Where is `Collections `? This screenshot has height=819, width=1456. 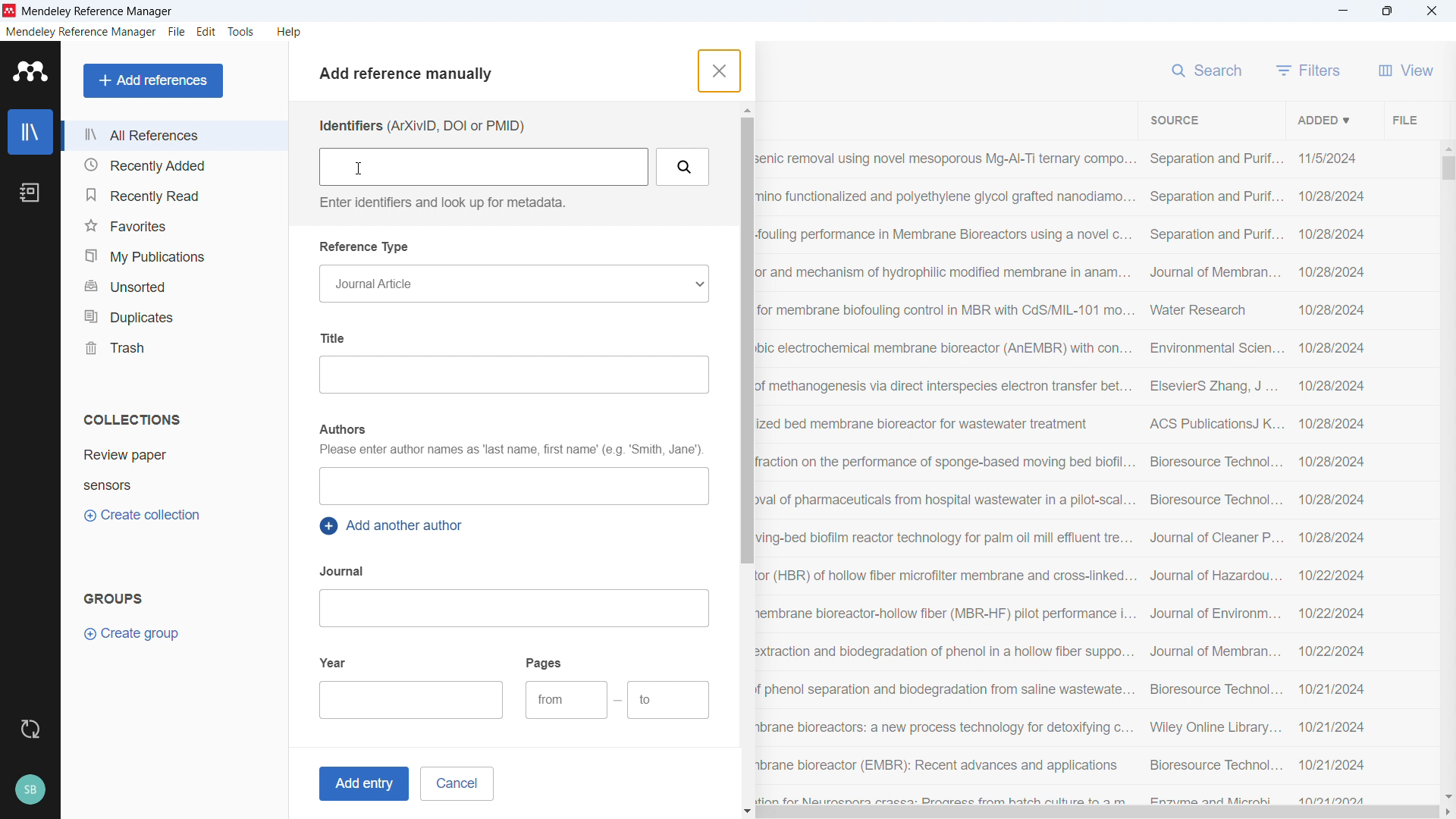
Collections  is located at coordinates (132, 419).